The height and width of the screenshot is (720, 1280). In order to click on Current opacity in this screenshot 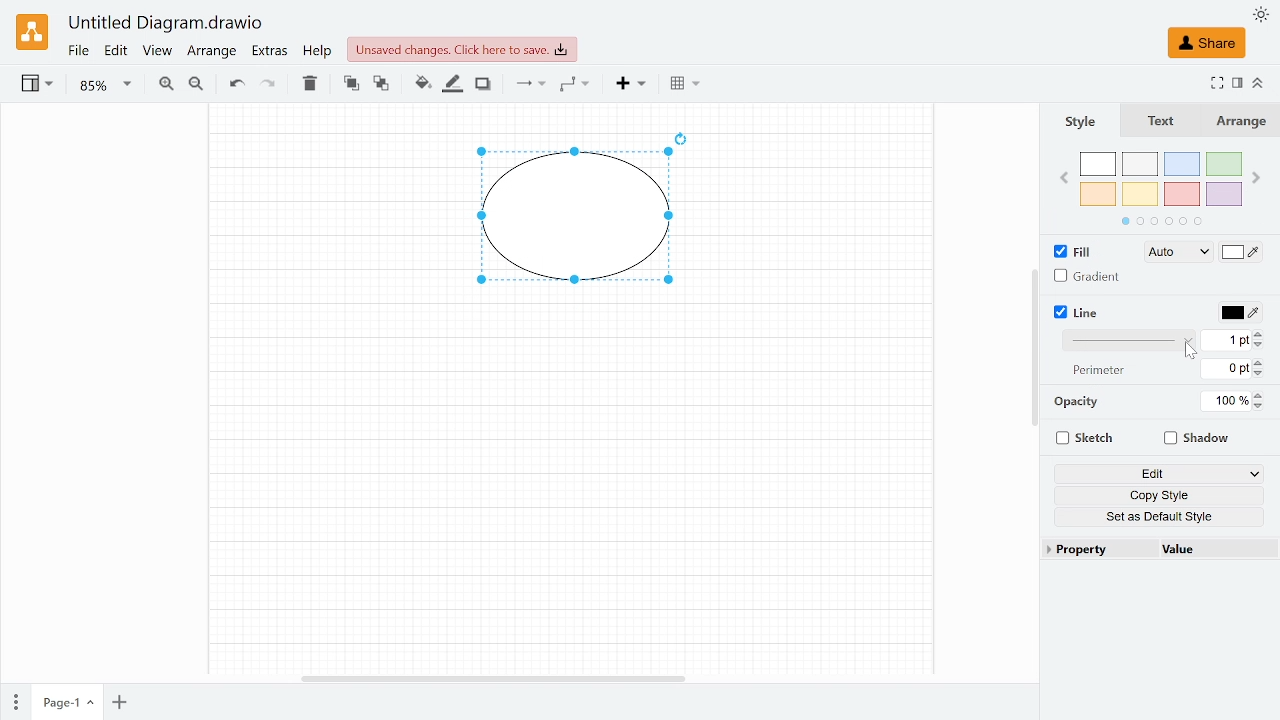, I will do `click(1227, 402)`.